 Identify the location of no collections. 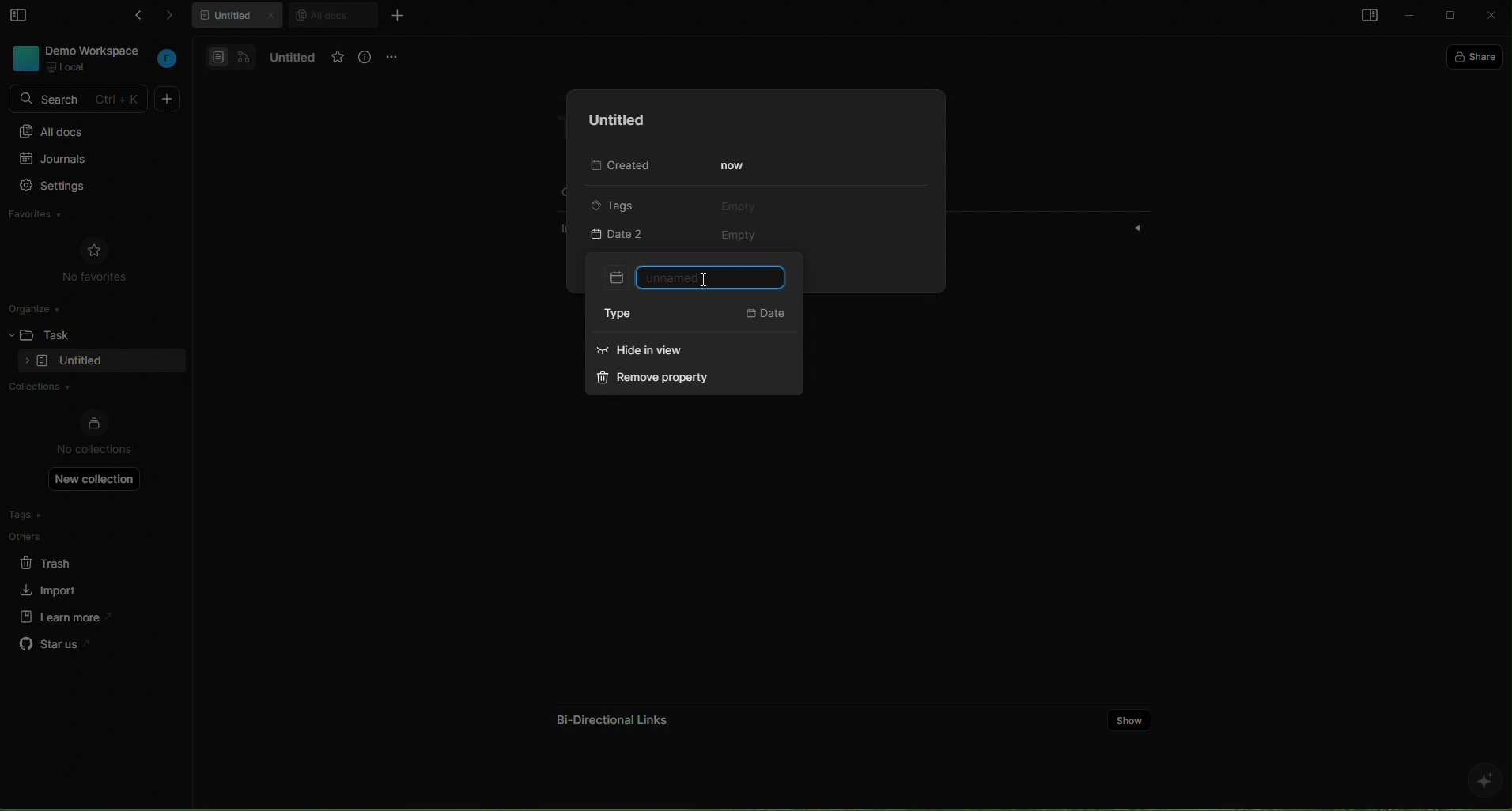
(94, 434).